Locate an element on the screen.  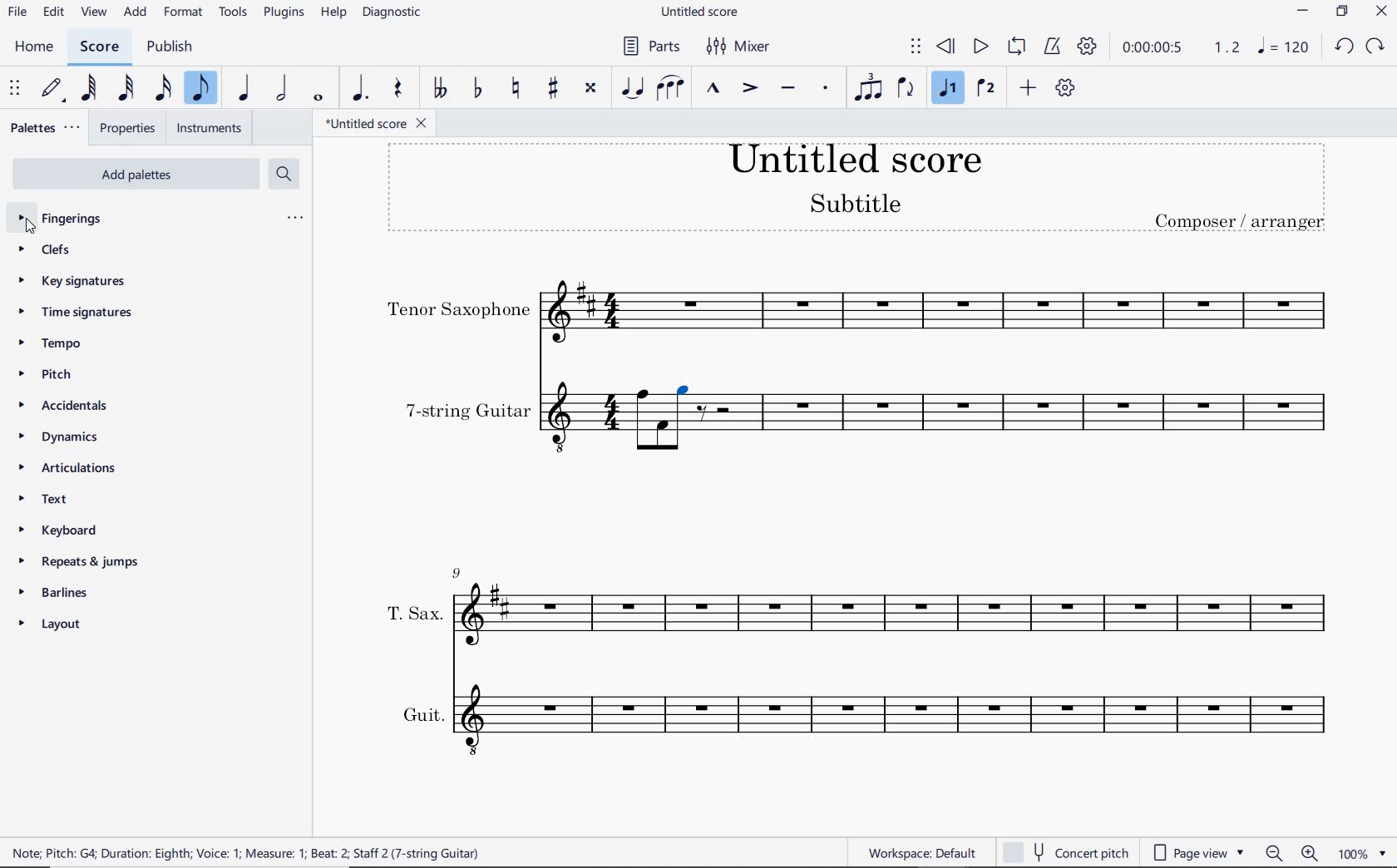
PLUGINS is located at coordinates (284, 16).